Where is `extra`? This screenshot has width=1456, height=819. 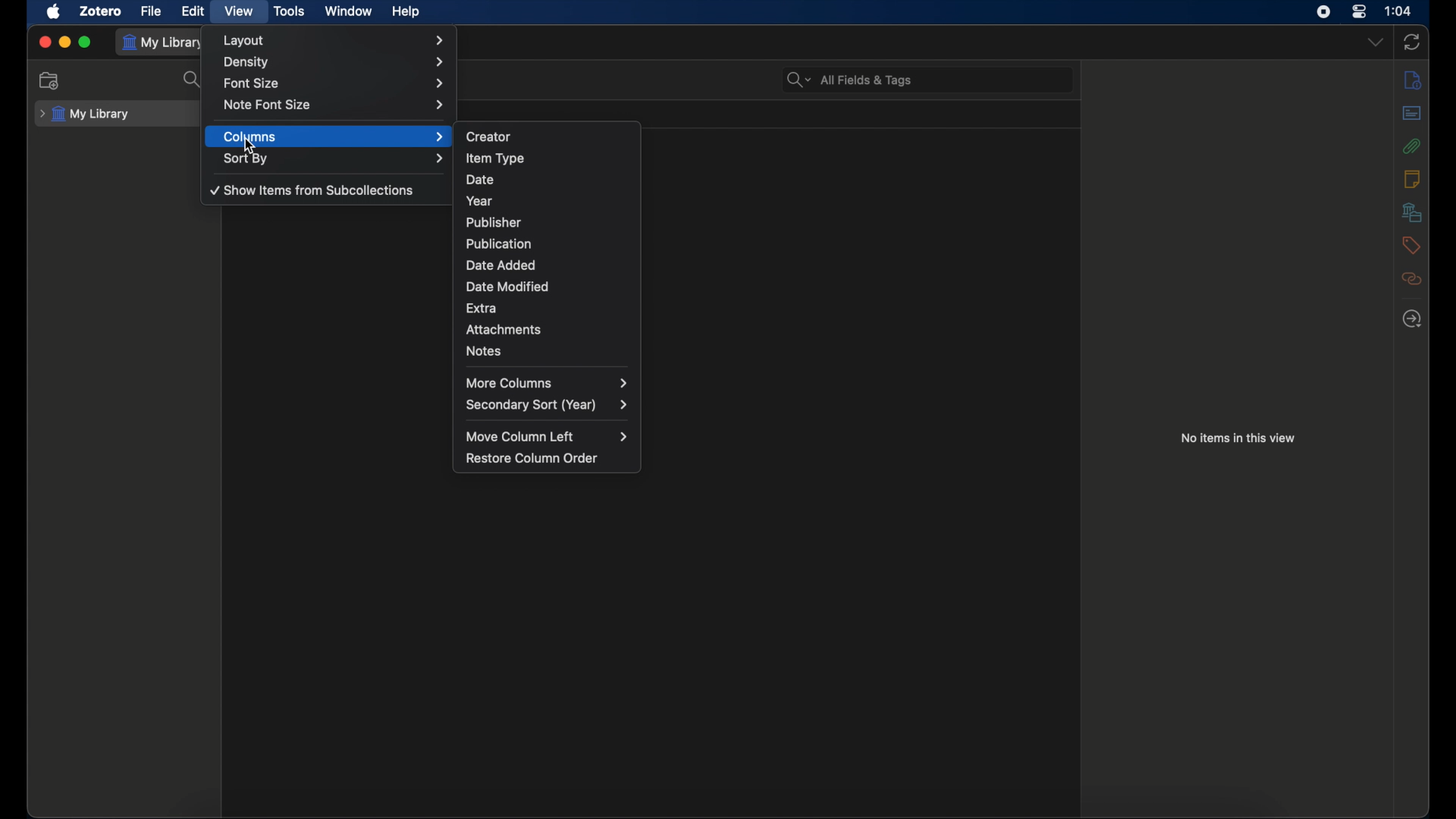
extra is located at coordinates (482, 307).